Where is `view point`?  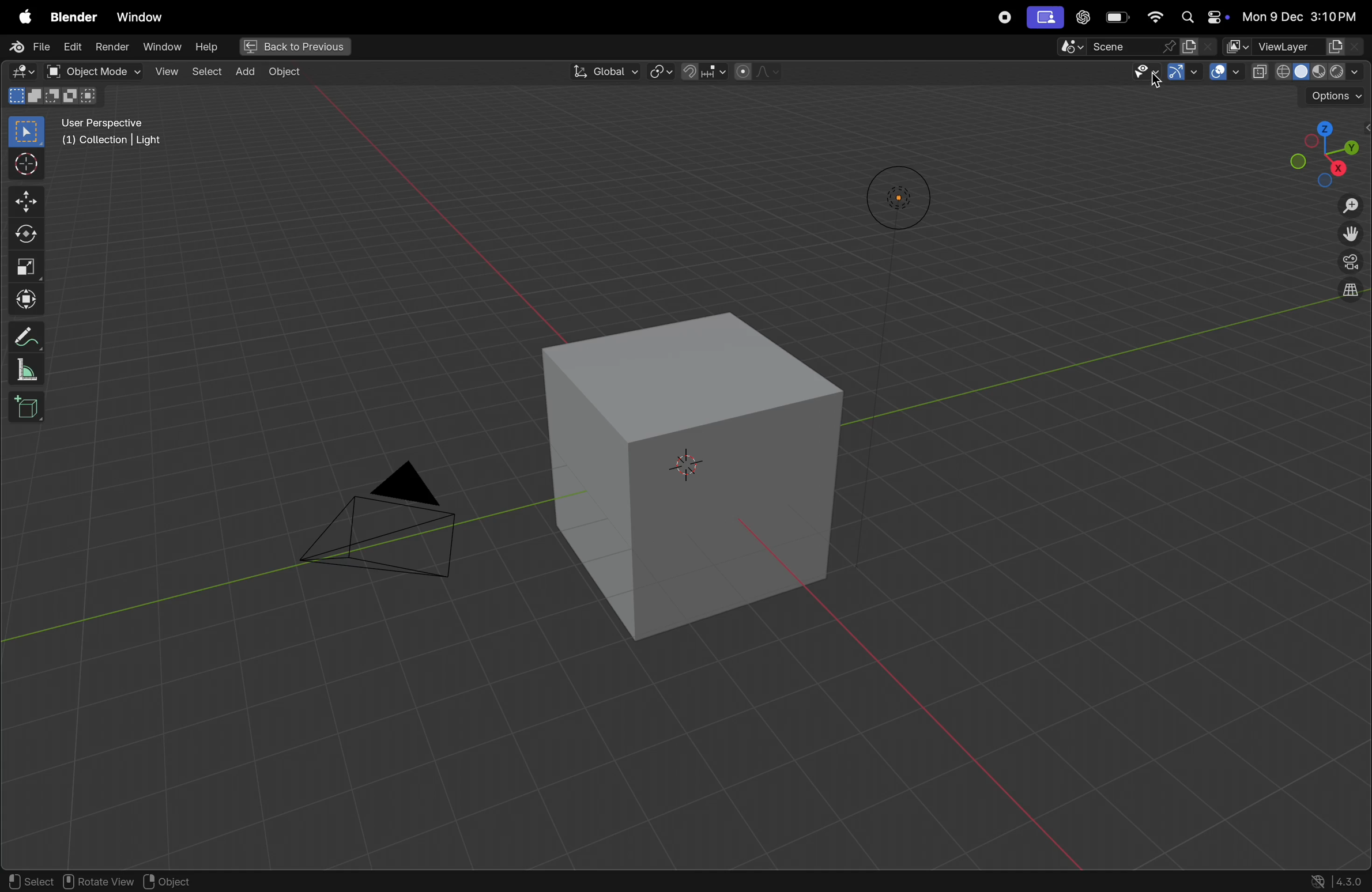 view point is located at coordinates (1321, 148).